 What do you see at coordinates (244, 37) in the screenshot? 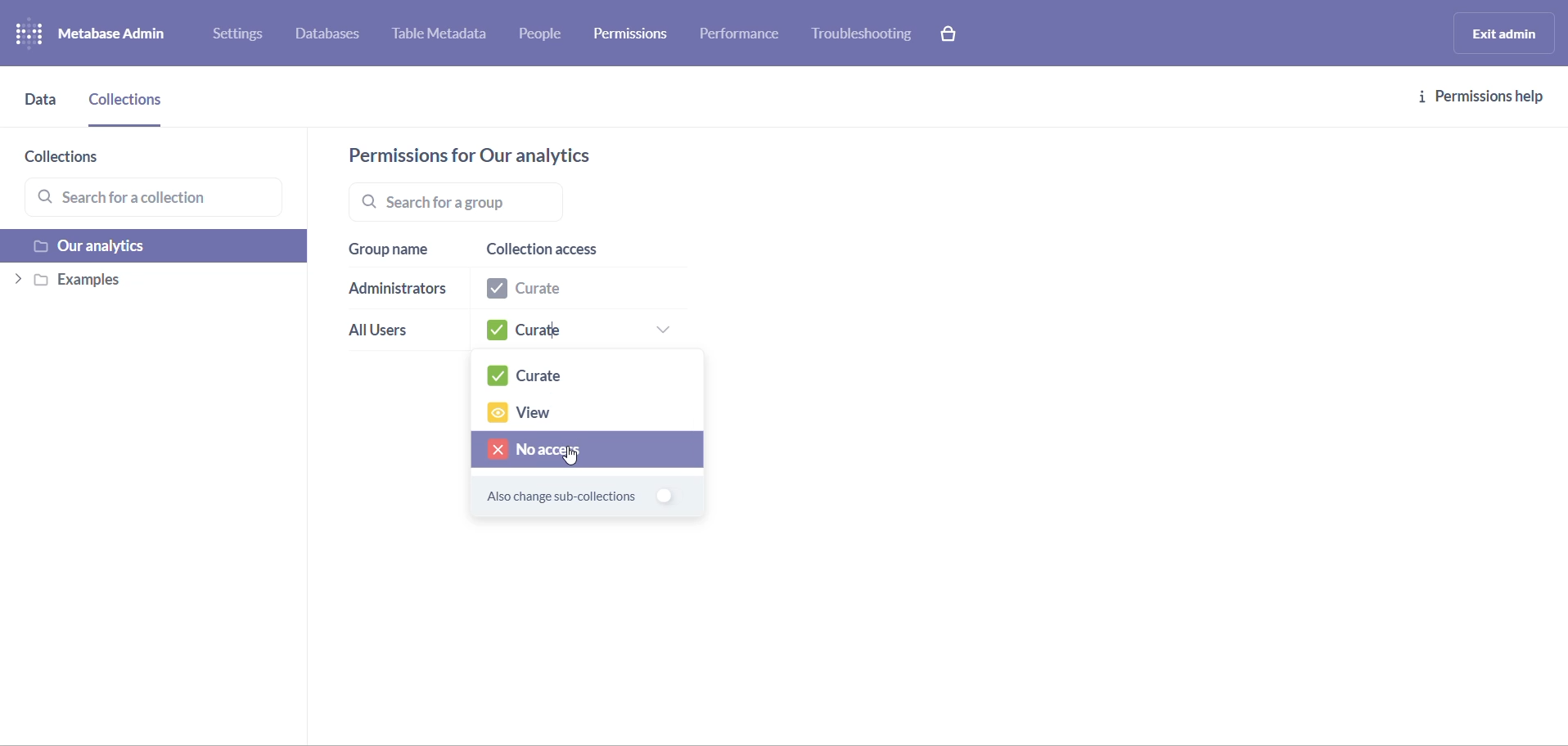
I see `settings` at bounding box center [244, 37].